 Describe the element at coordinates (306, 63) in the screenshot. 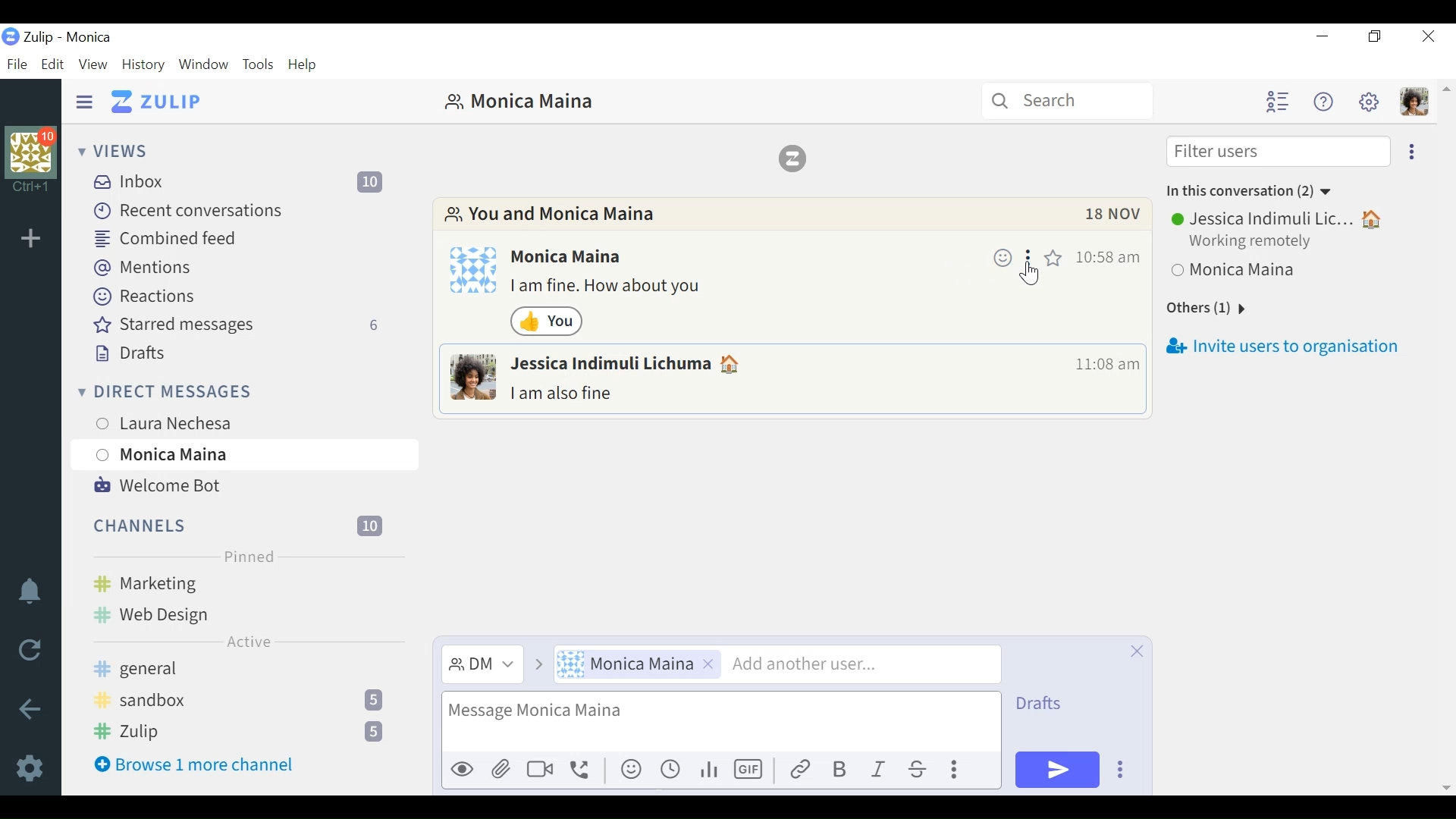

I see `Help` at that location.